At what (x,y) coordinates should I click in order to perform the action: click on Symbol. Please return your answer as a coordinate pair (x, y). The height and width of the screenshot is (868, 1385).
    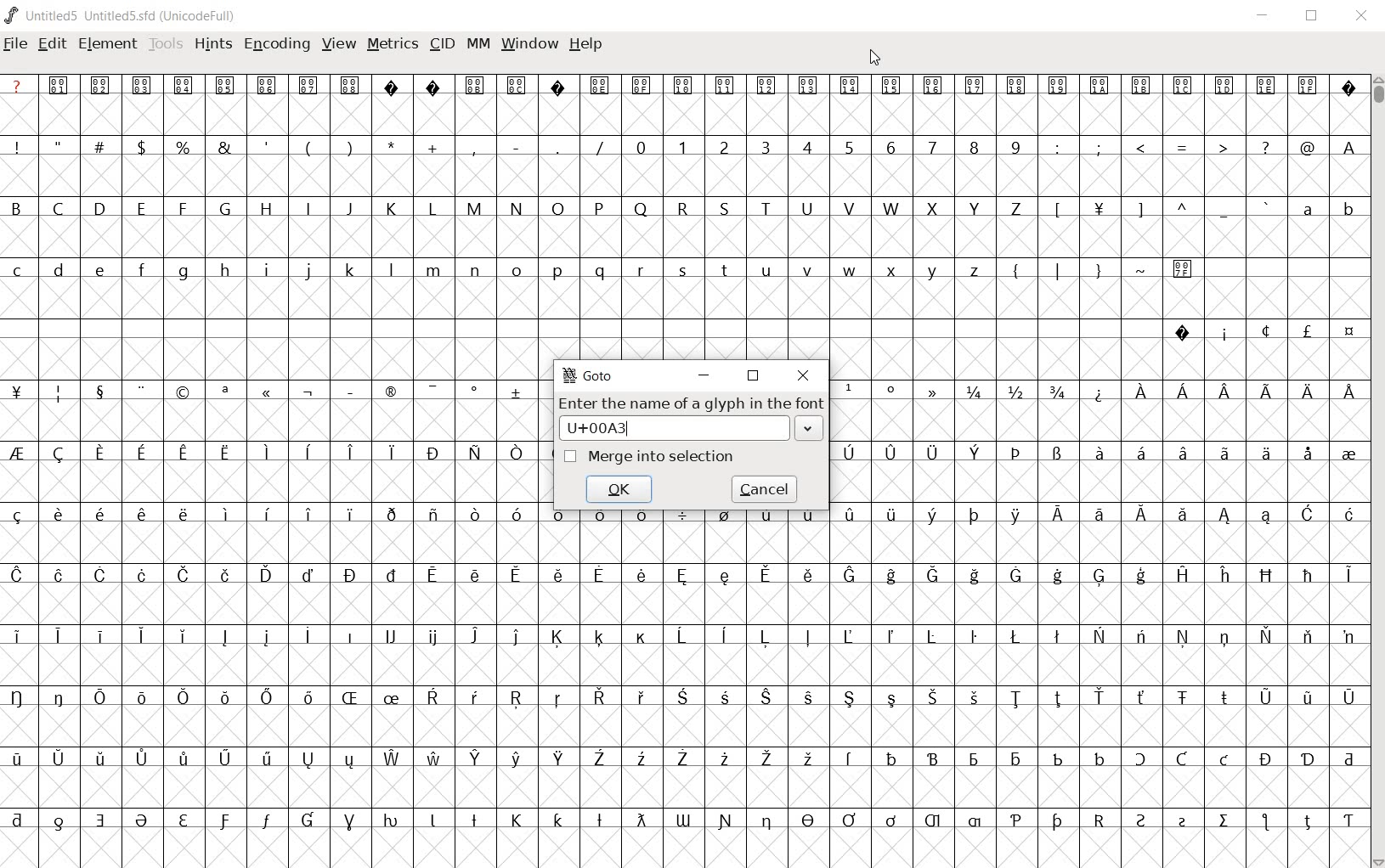
    Looking at the image, I should click on (432, 699).